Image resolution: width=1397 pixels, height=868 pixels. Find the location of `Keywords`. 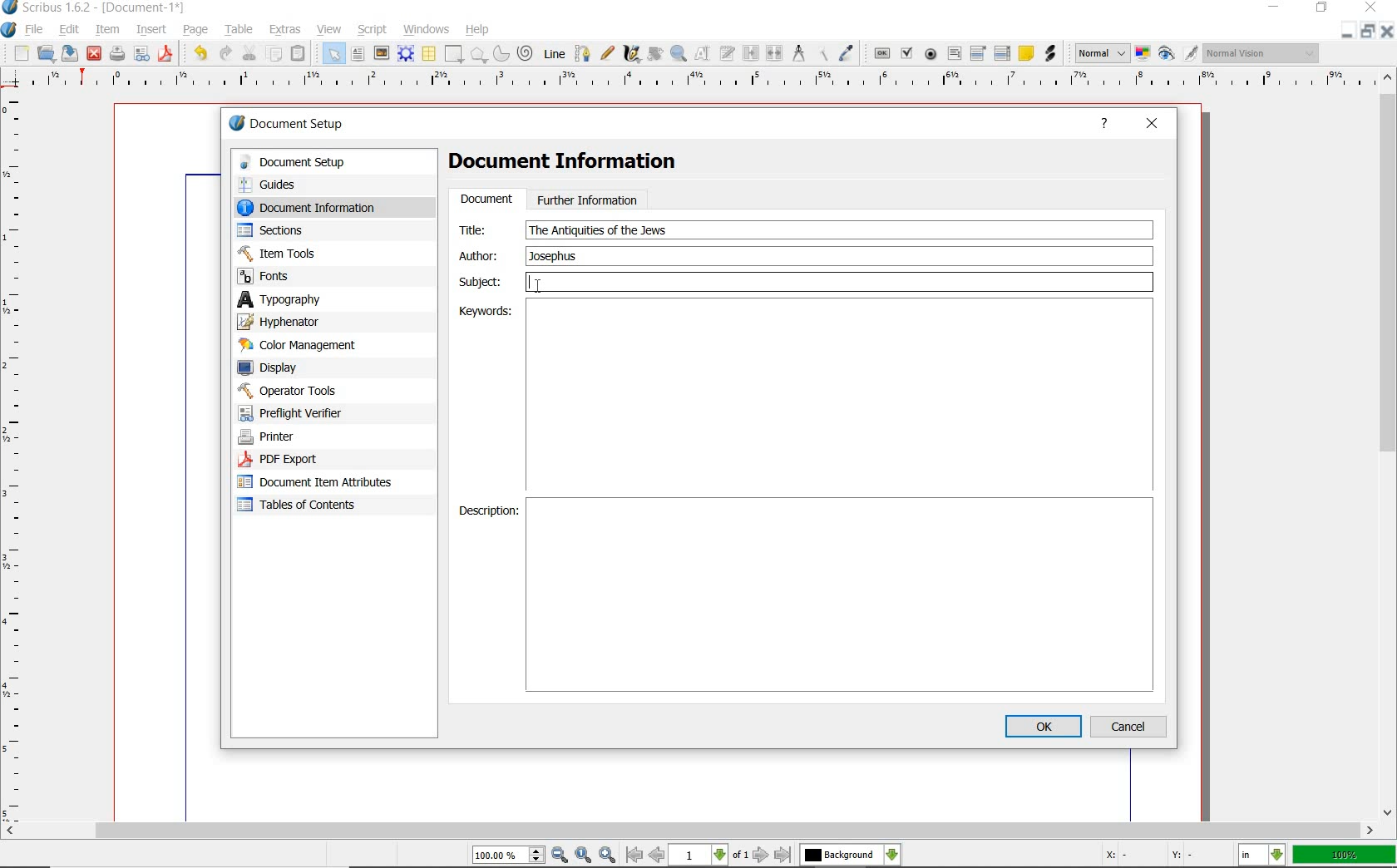

Keywords is located at coordinates (484, 313).